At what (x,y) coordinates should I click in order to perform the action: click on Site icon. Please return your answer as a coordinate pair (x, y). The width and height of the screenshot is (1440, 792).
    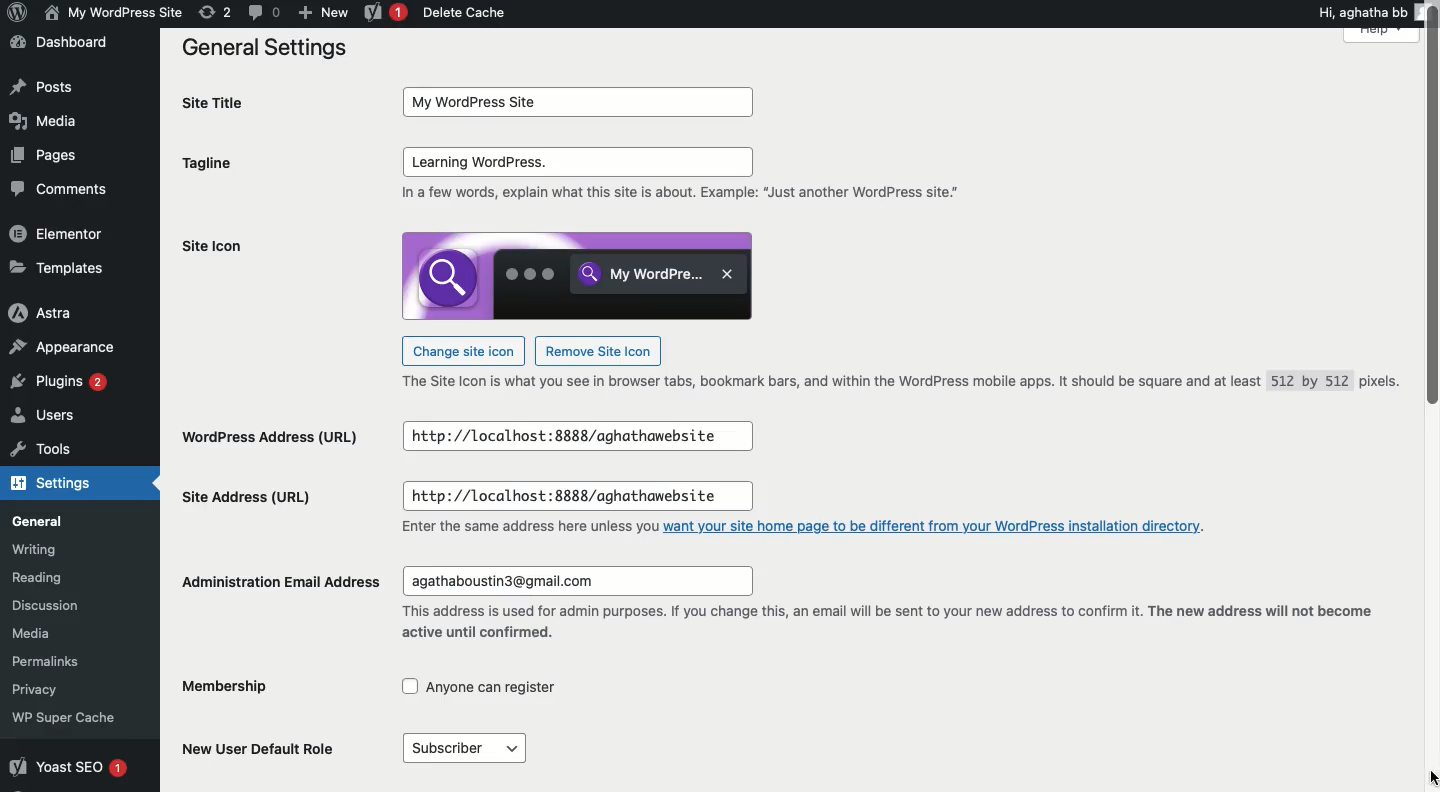
    Looking at the image, I should click on (268, 252).